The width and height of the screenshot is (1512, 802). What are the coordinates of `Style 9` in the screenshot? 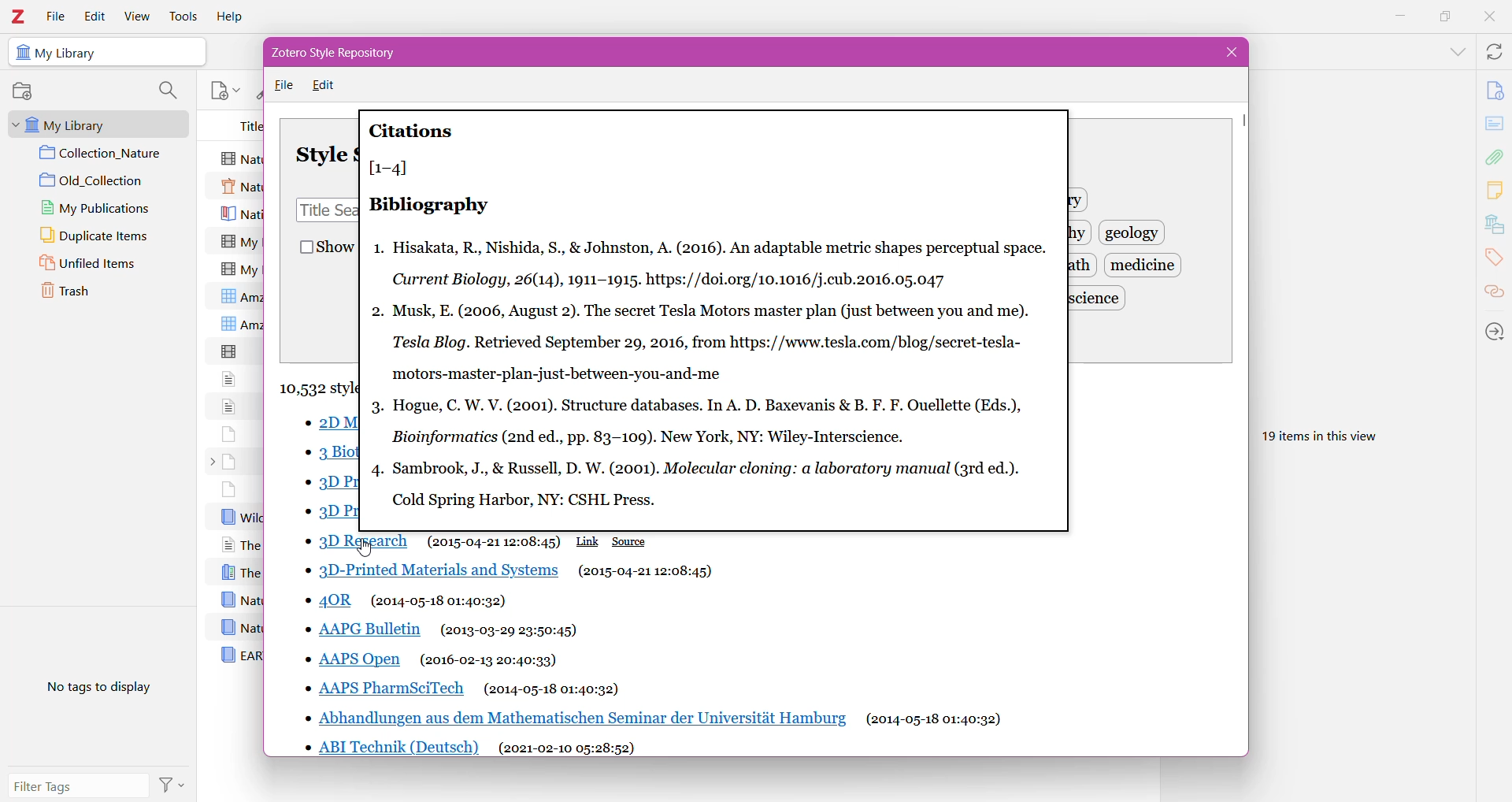 It's located at (356, 661).